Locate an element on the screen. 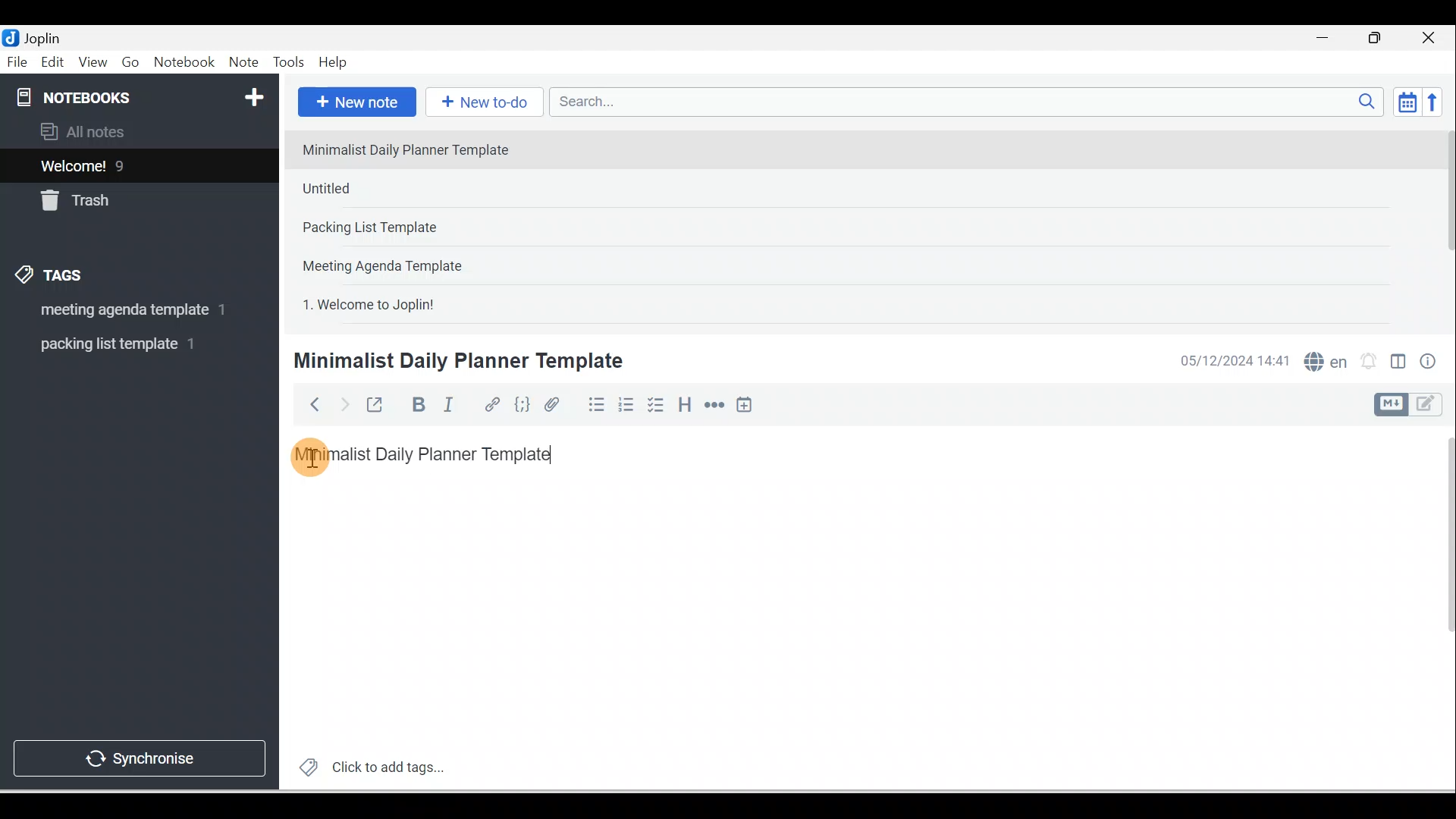 The image size is (1456, 819). Bold is located at coordinates (416, 405).